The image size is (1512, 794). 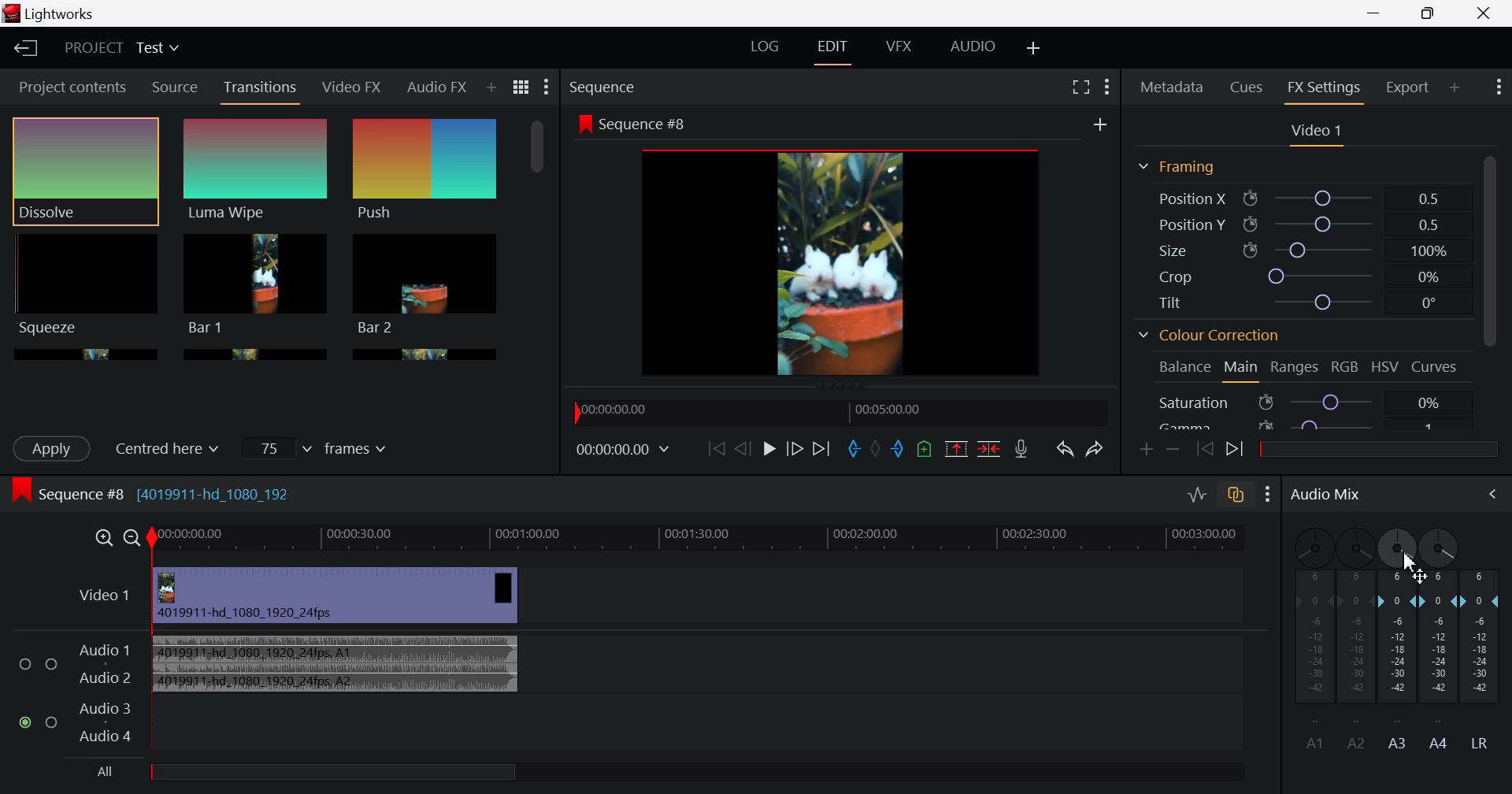 I want to click on Luma Wipe, so click(x=256, y=171).